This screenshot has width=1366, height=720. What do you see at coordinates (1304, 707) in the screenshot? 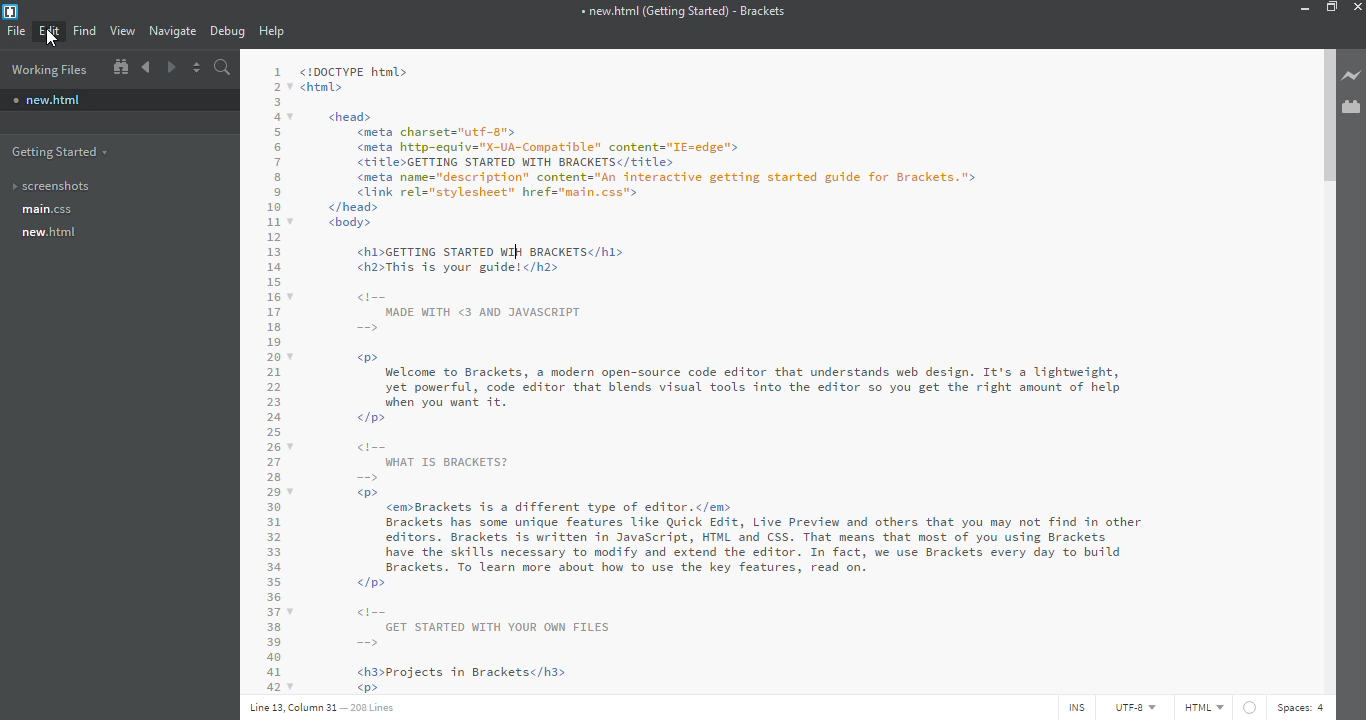
I see `spaces` at bounding box center [1304, 707].